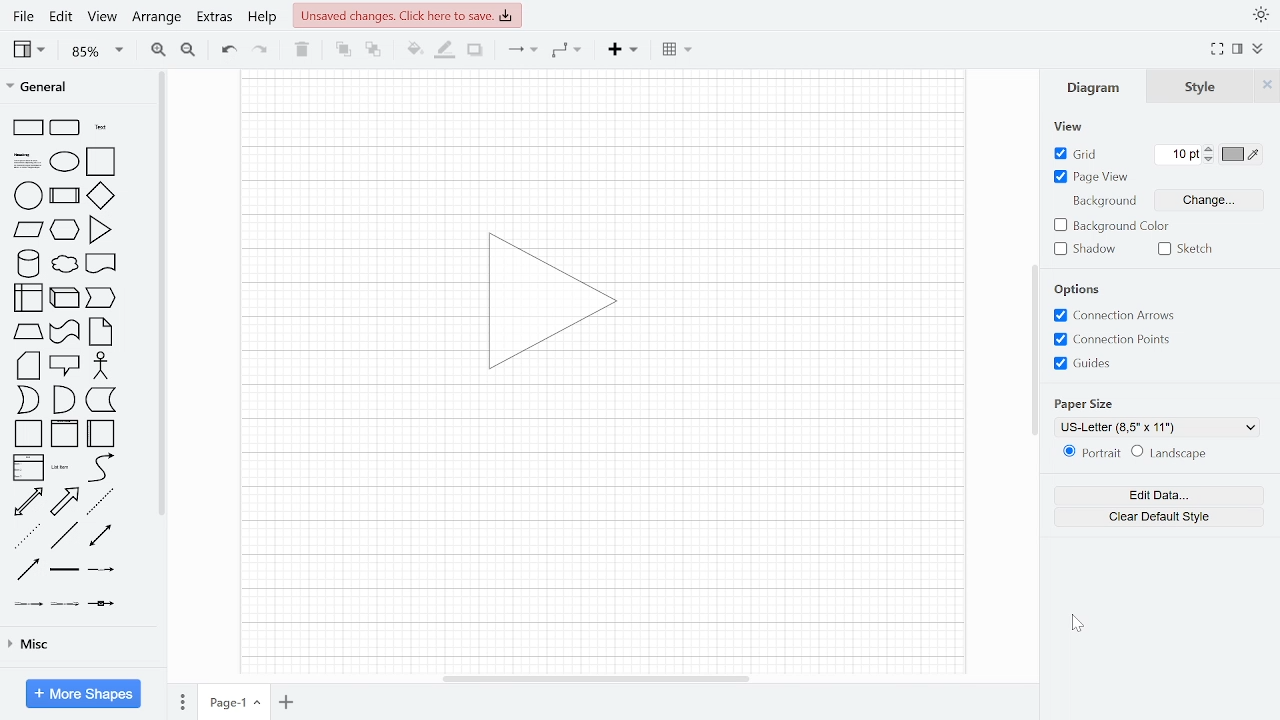  I want to click on Landscape, so click(1169, 453).